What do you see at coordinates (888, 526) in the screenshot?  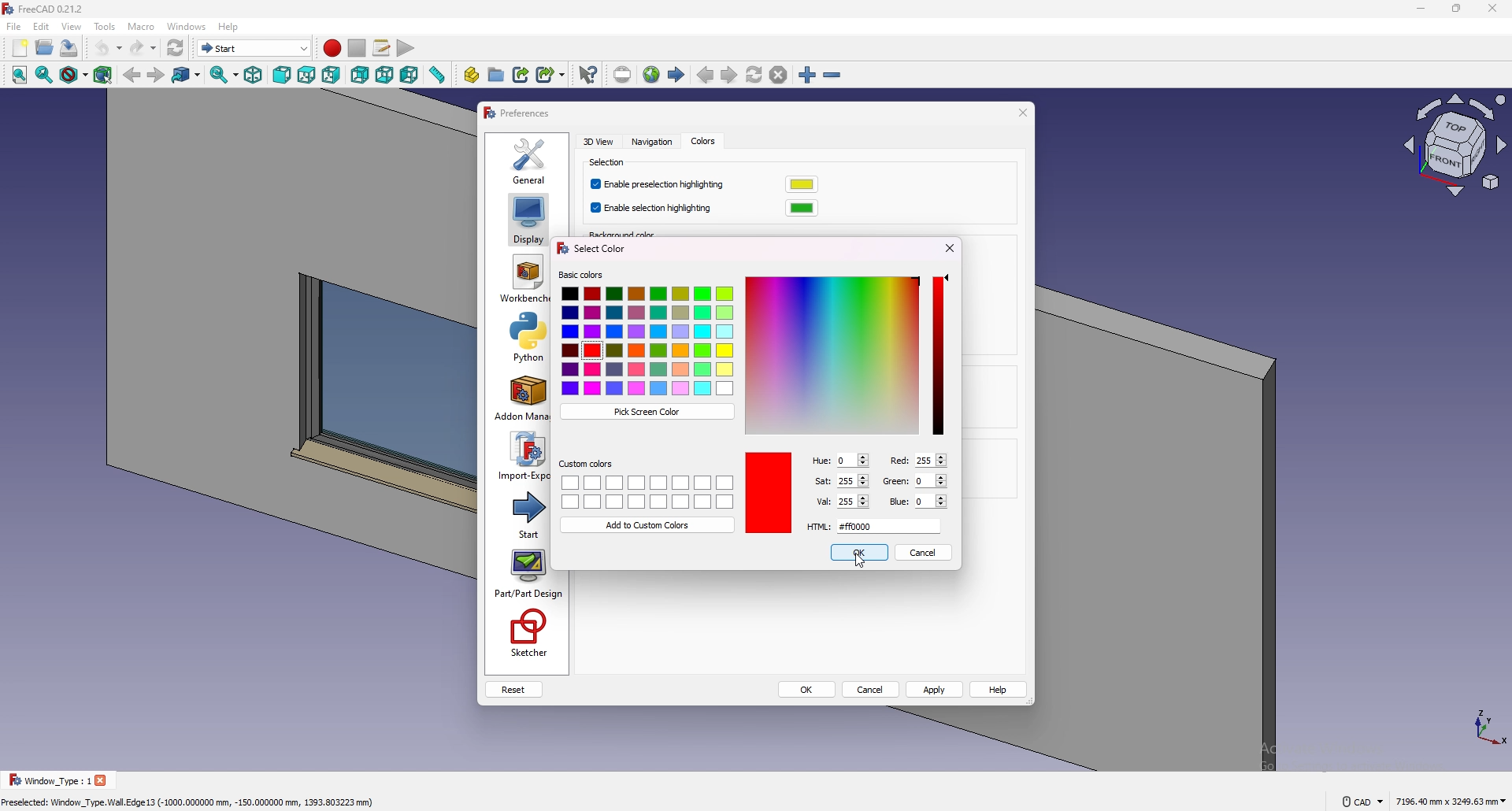 I see `#ff0000` at bounding box center [888, 526].